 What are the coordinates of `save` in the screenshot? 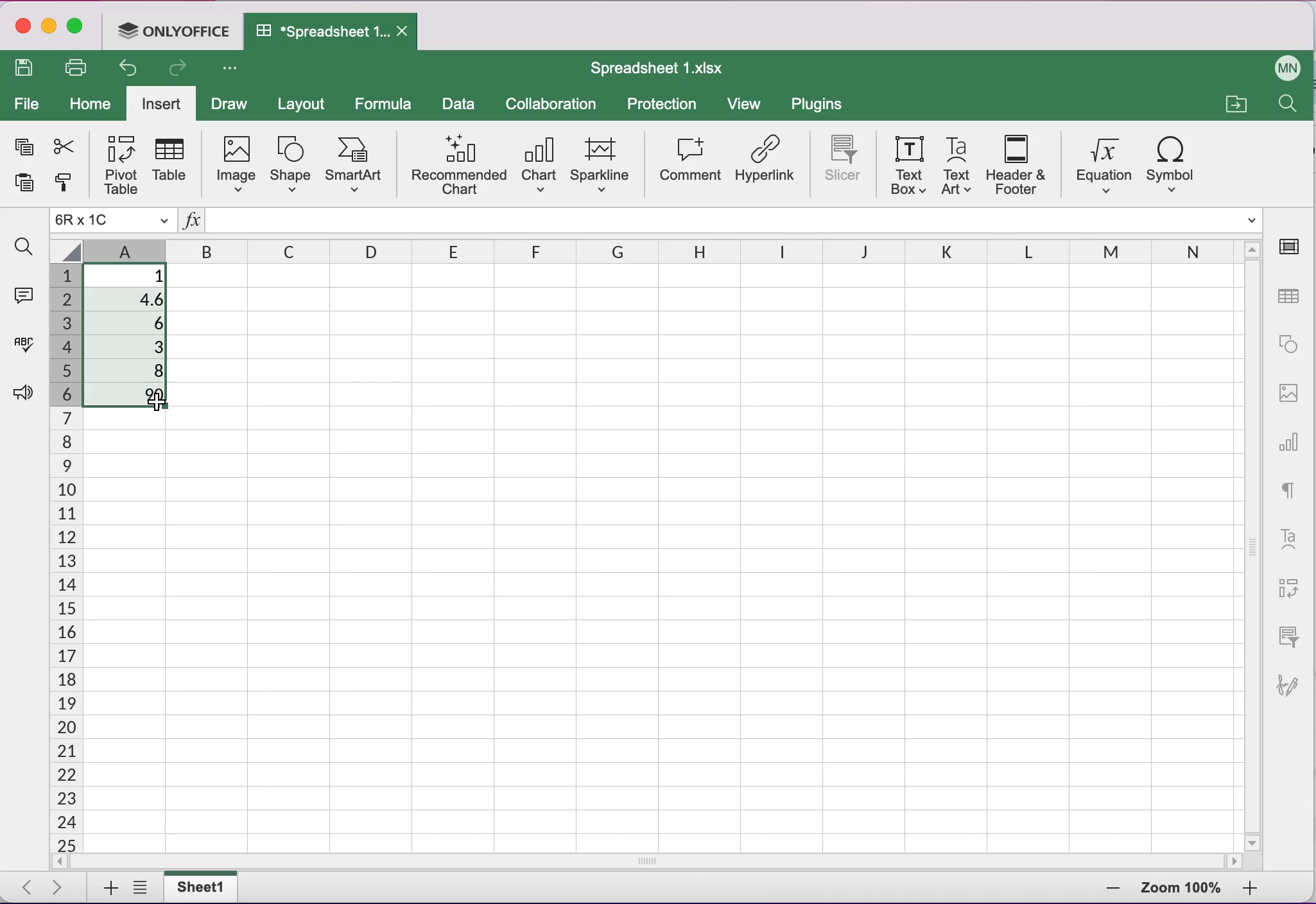 It's located at (23, 69).